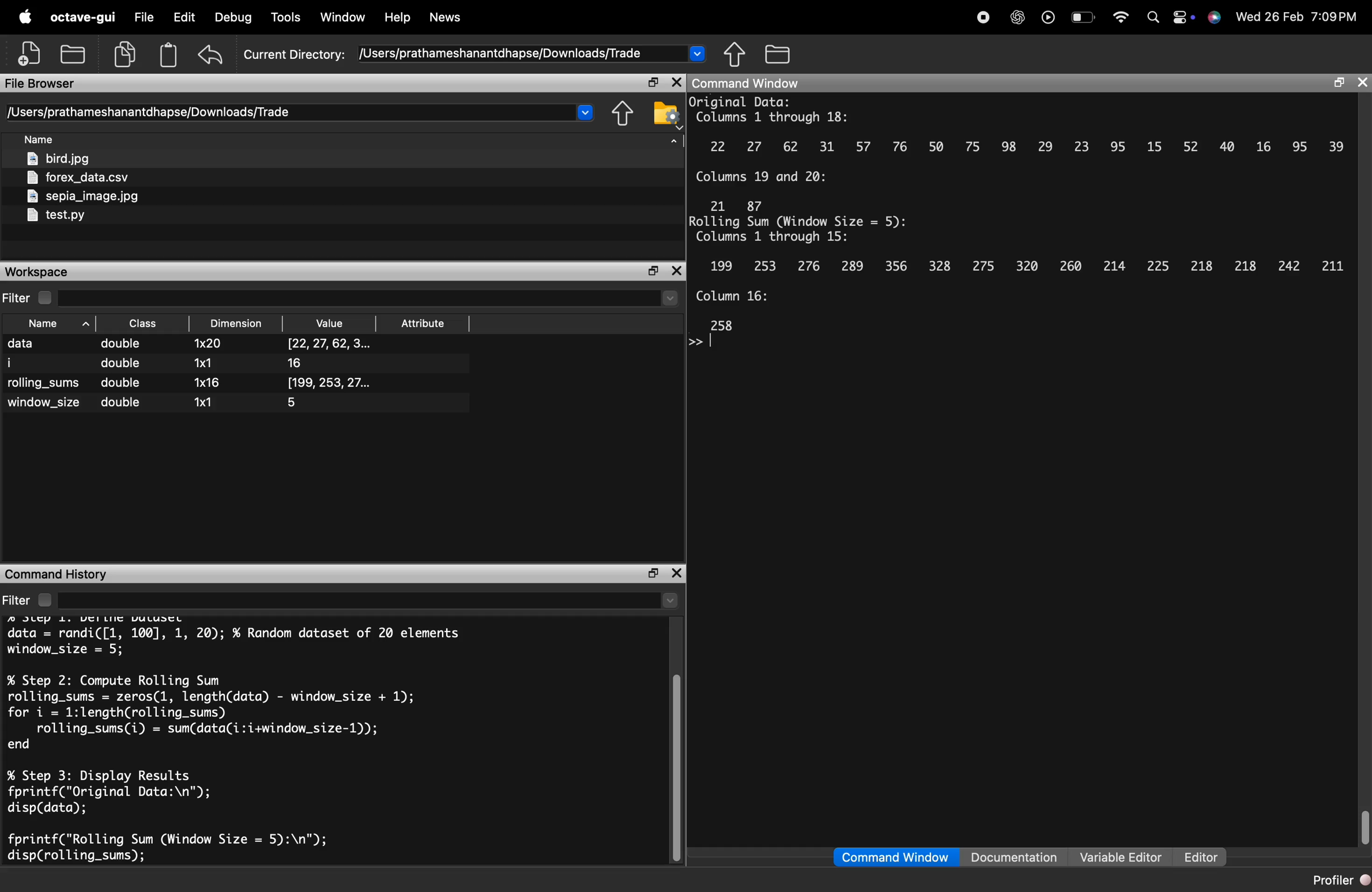 The image size is (1372, 892). I want to click on close, so click(677, 82).